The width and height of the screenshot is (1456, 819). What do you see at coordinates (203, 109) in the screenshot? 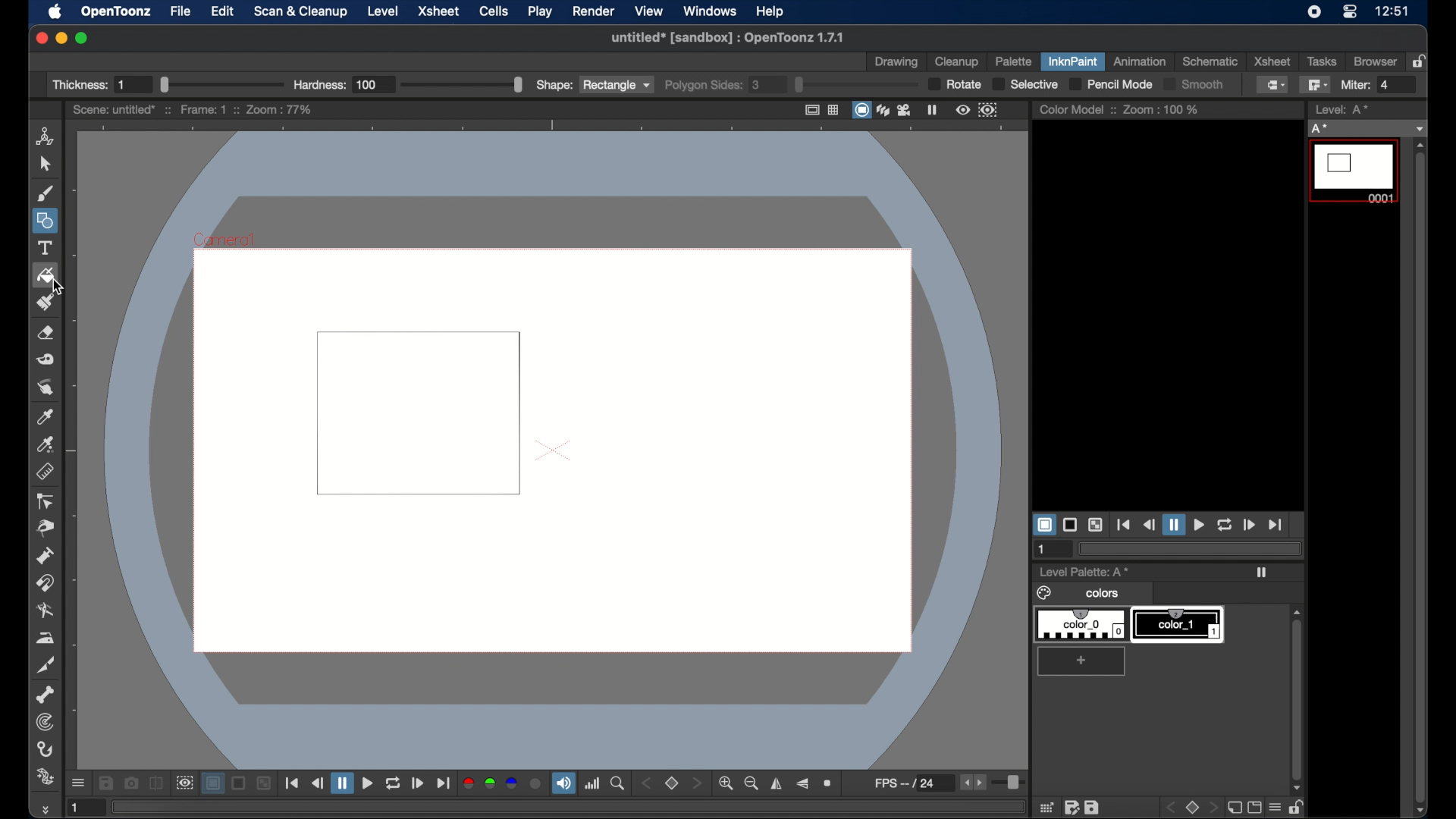
I see `frame: 1` at bounding box center [203, 109].